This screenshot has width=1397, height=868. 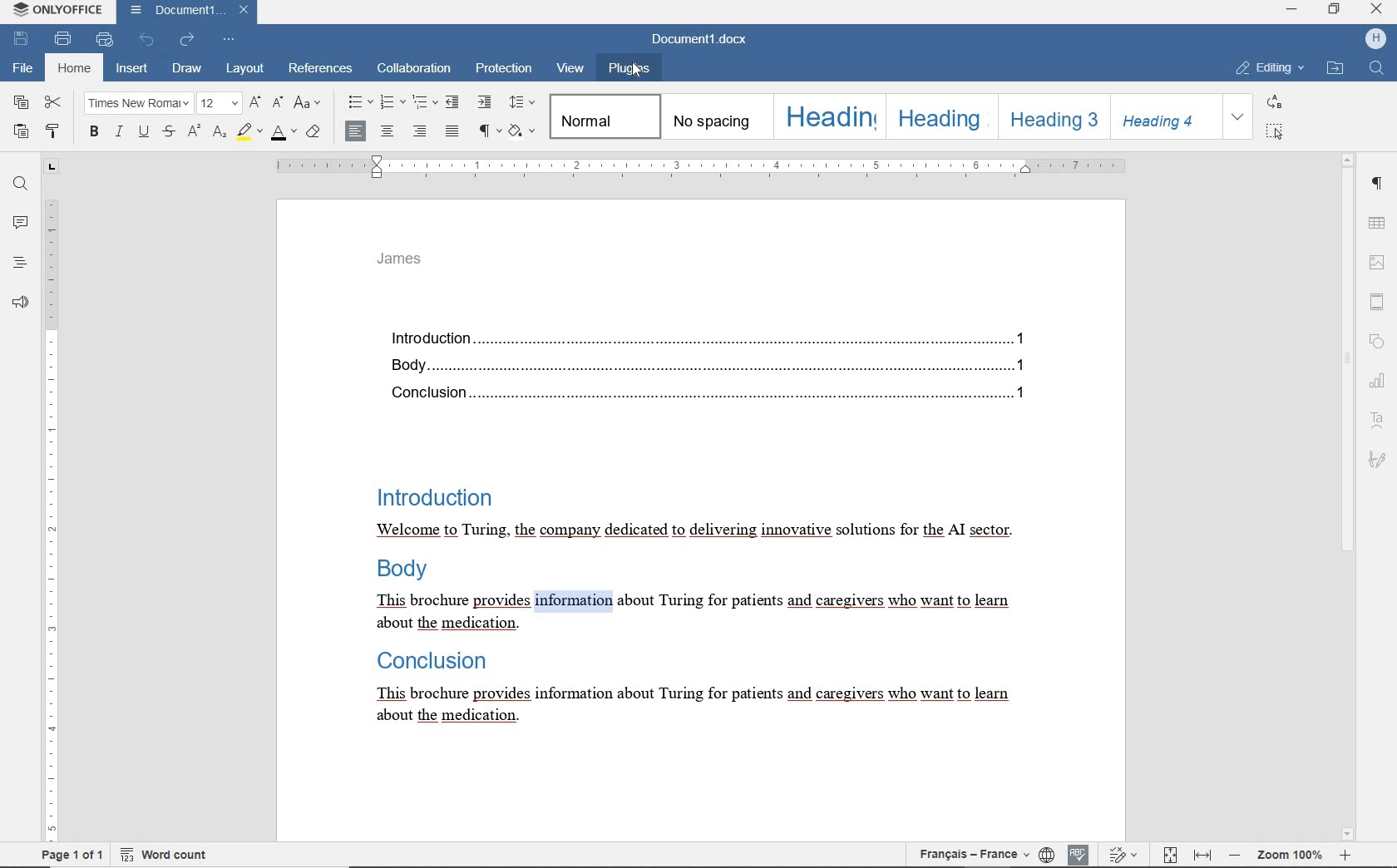 What do you see at coordinates (975, 855) in the screenshot?
I see `TEXT LANGUAGE` at bounding box center [975, 855].